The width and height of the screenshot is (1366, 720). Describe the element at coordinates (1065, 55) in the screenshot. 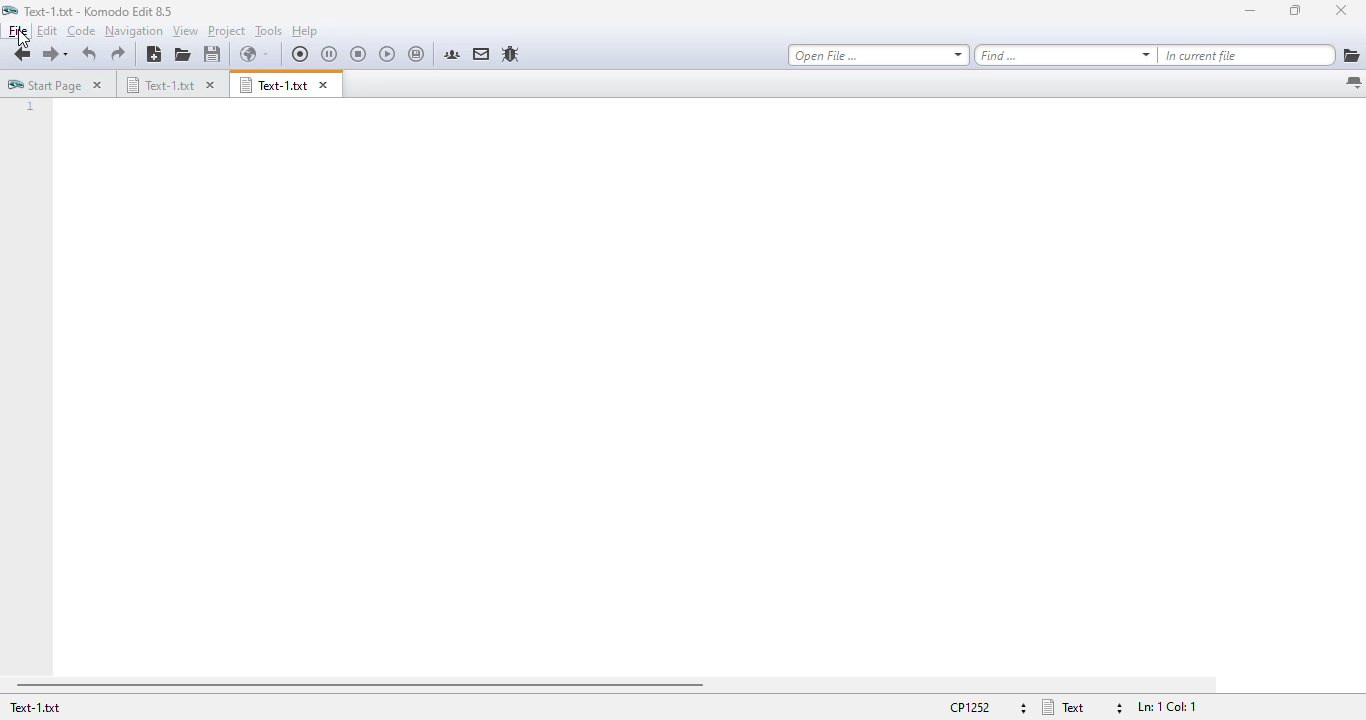

I see `find ` at that location.